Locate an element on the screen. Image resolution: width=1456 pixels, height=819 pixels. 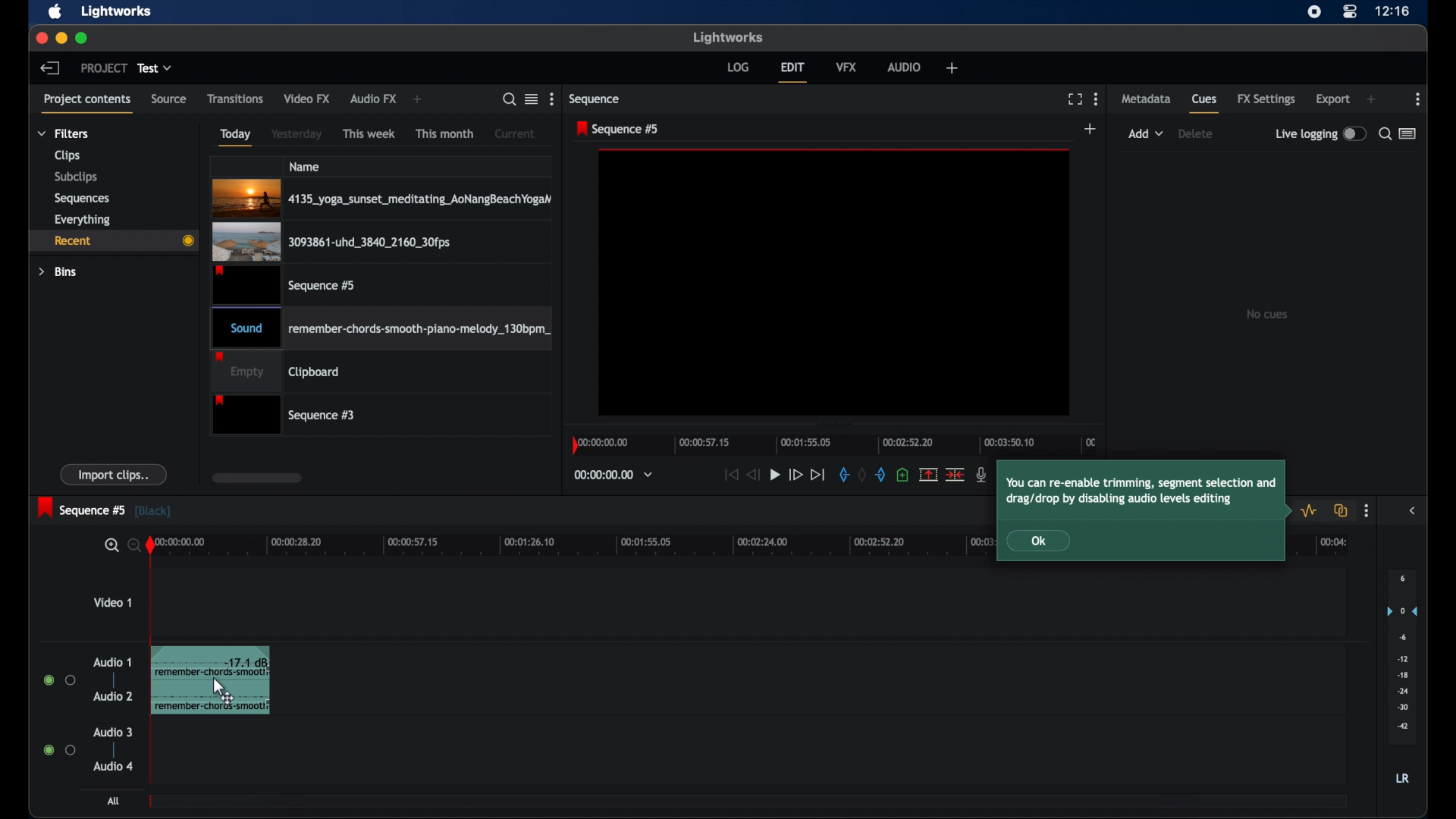
screen recorder icon is located at coordinates (1313, 11).